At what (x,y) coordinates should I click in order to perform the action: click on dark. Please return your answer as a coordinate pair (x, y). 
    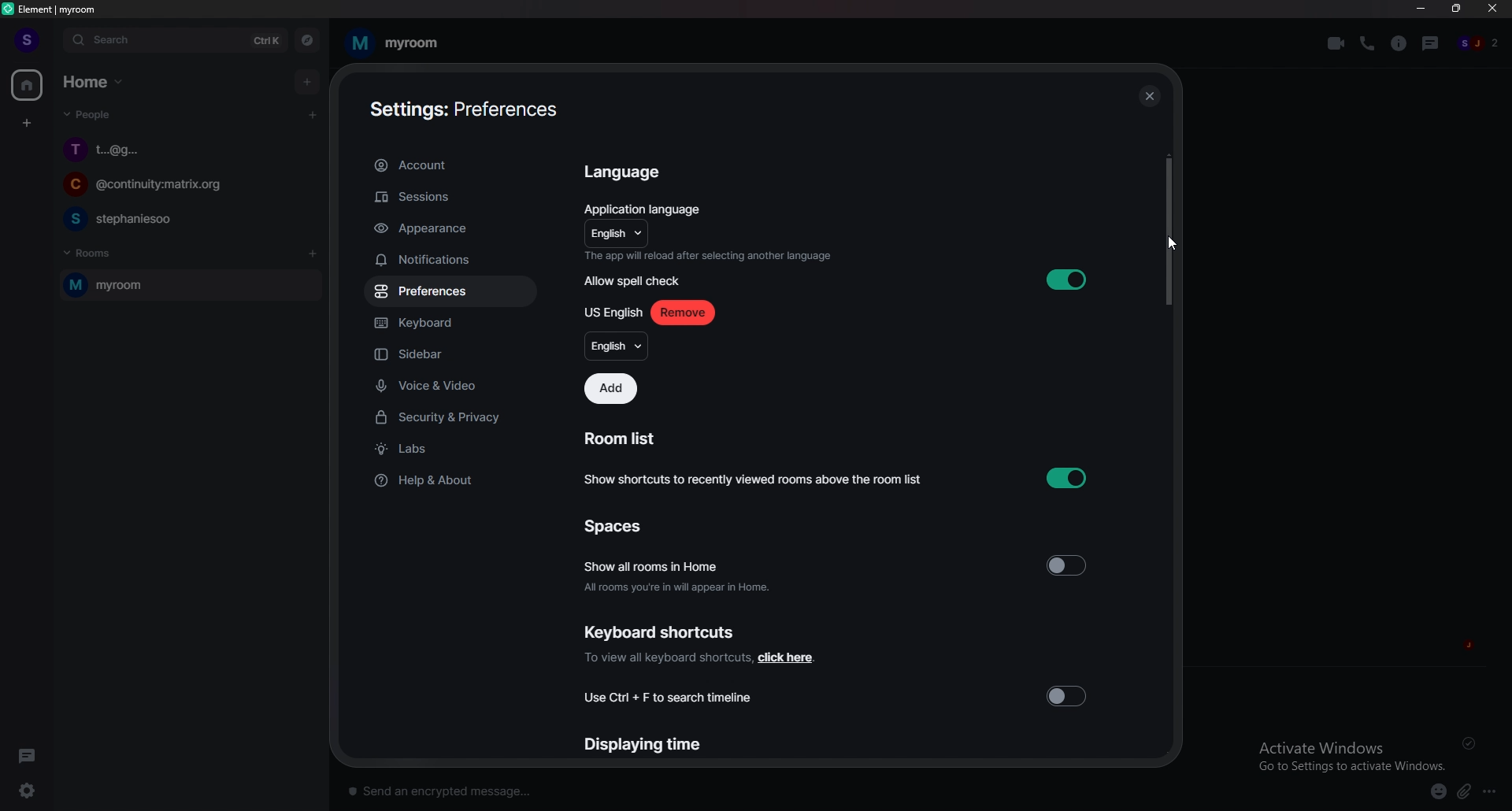
    Looking at the image, I should click on (31, 755).